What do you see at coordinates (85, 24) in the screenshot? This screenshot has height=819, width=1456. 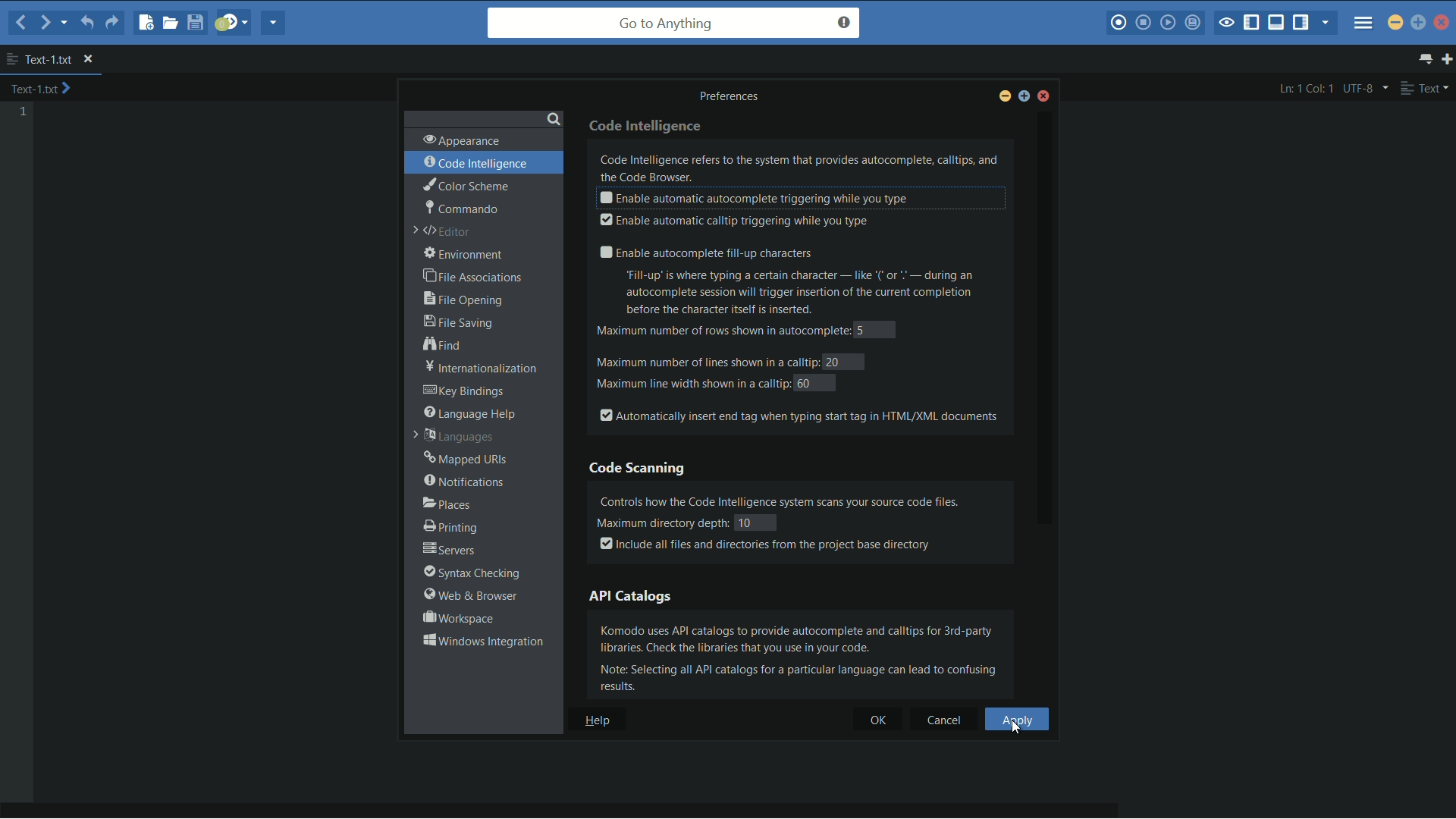 I see `undo` at bounding box center [85, 24].